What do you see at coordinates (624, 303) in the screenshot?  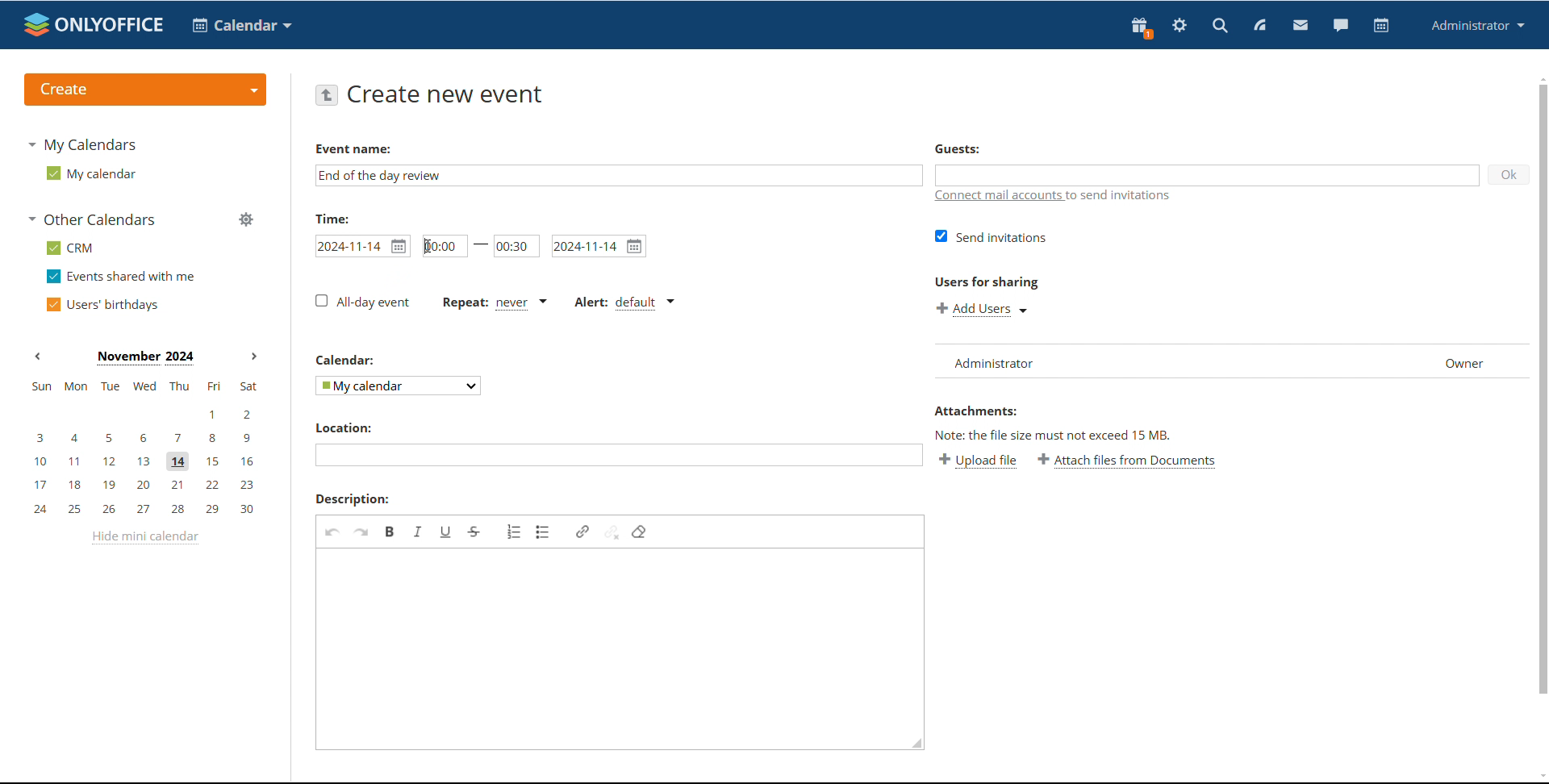 I see `alert type` at bounding box center [624, 303].